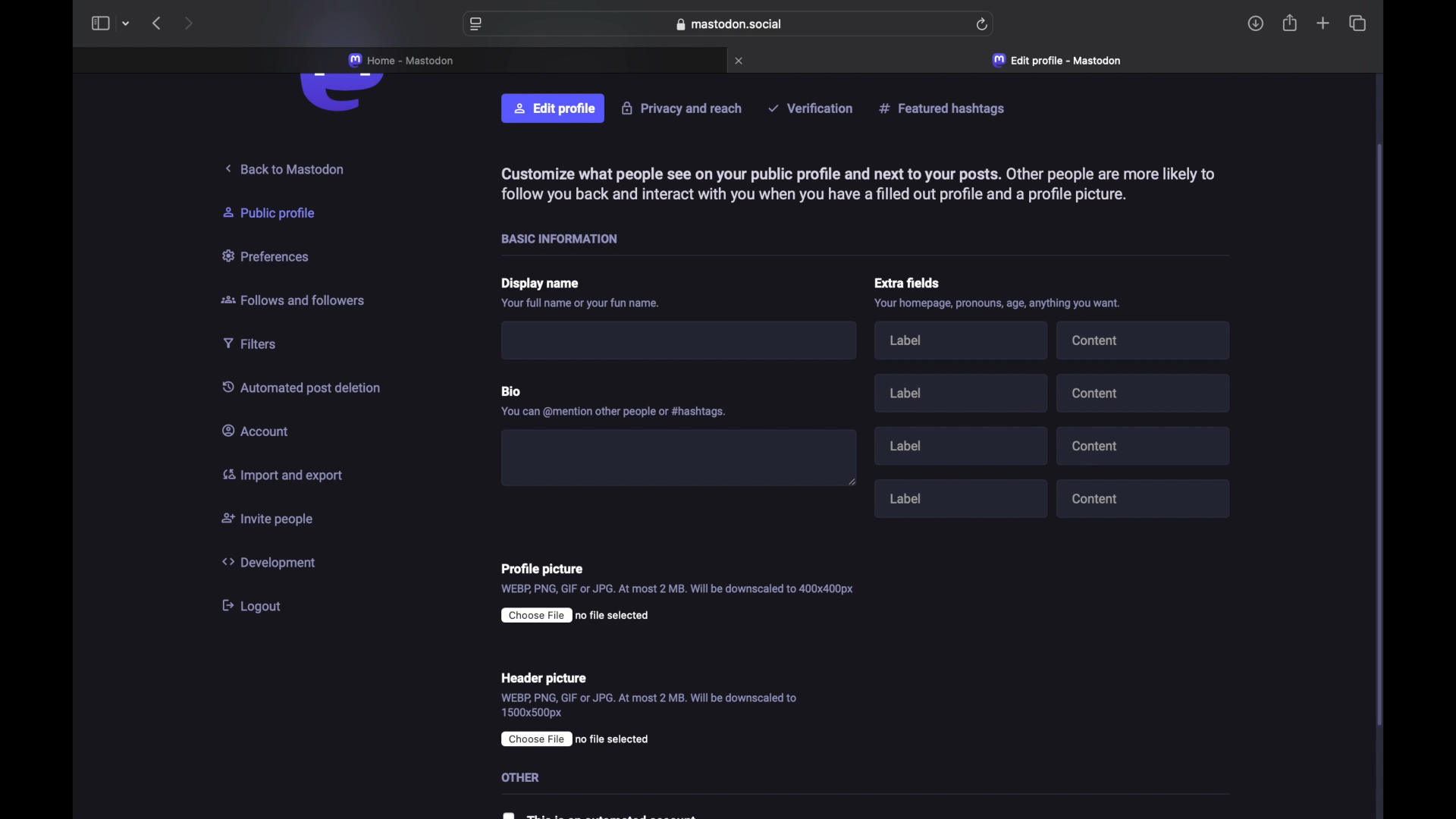 This screenshot has height=819, width=1456. Describe the element at coordinates (852, 181) in the screenshot. I see `info` at that location.